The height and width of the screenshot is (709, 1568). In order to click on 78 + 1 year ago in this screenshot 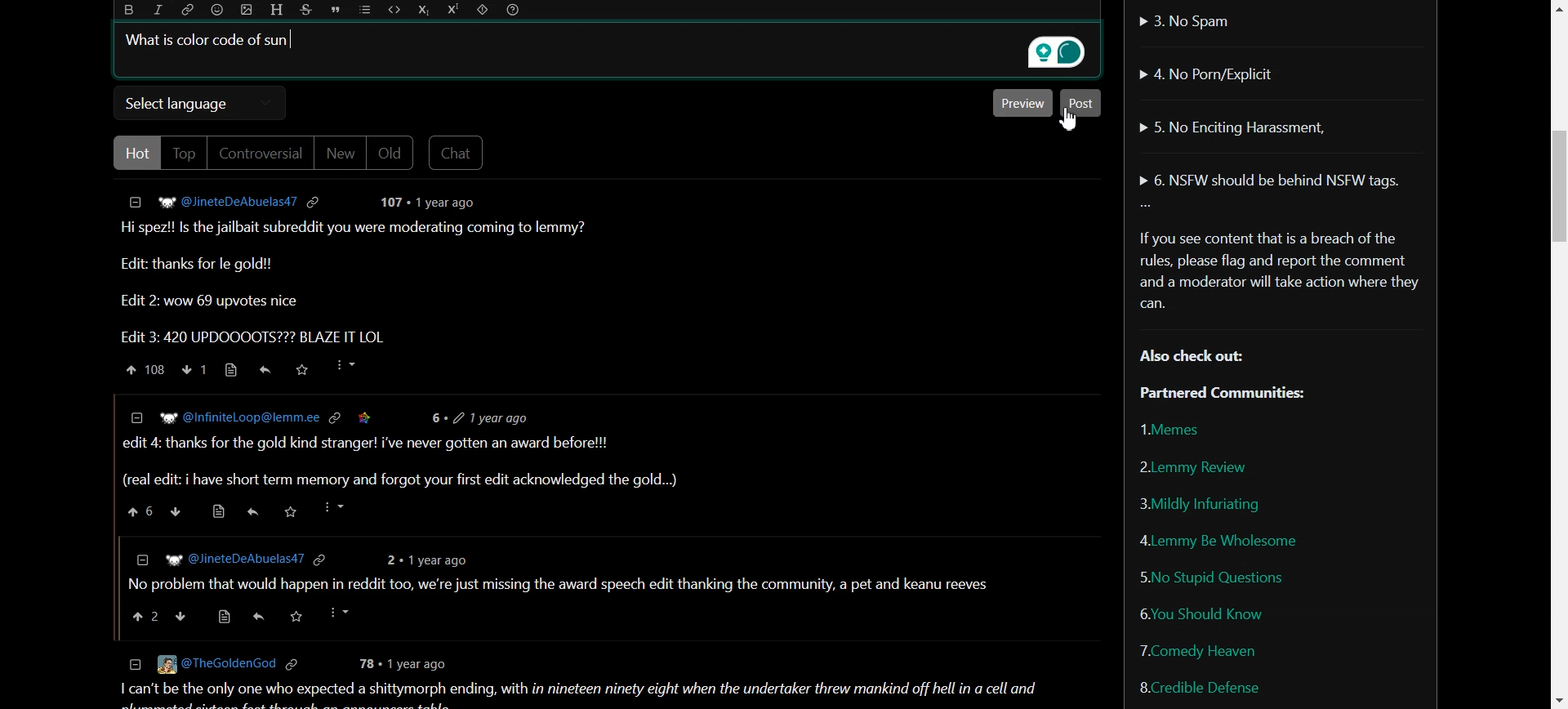, I will do `click(396, 664)`.